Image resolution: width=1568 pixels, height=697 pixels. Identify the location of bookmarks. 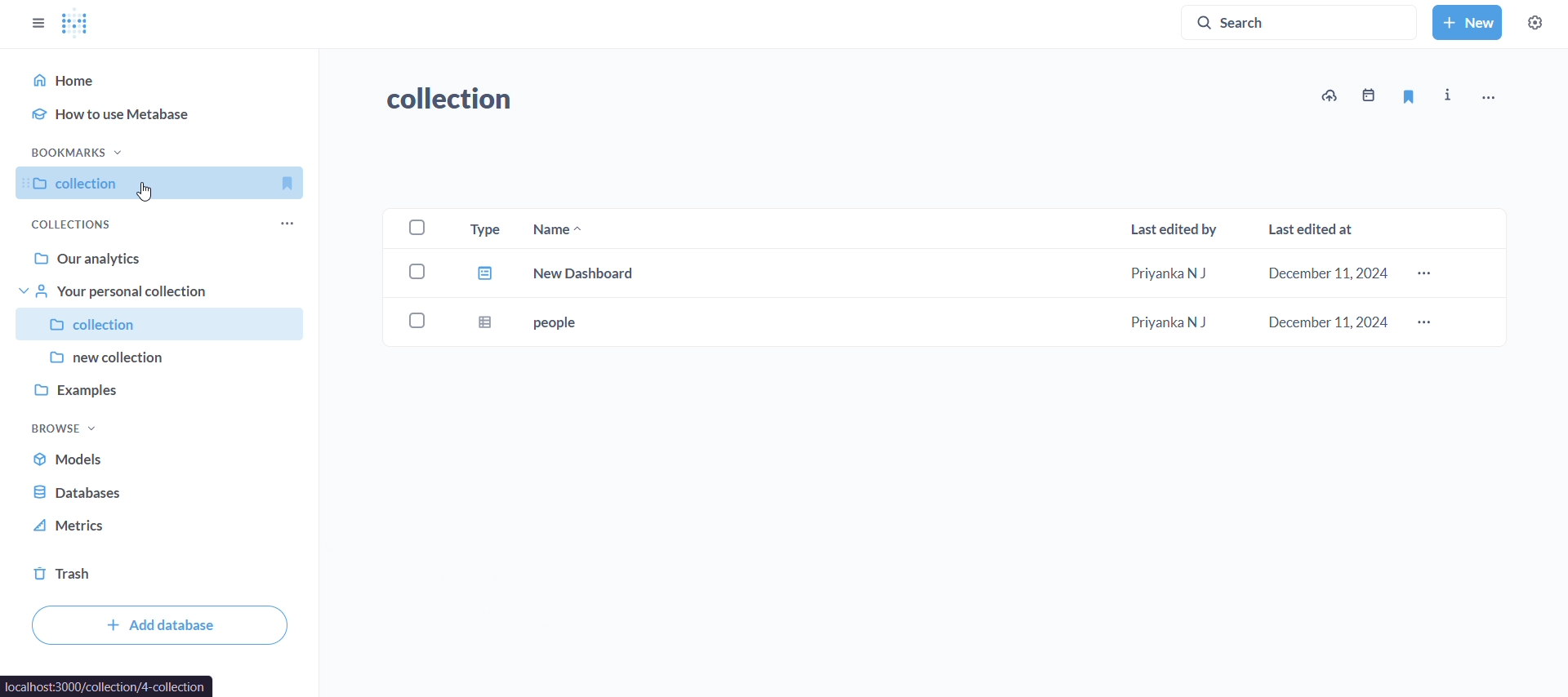
(1410, 96).